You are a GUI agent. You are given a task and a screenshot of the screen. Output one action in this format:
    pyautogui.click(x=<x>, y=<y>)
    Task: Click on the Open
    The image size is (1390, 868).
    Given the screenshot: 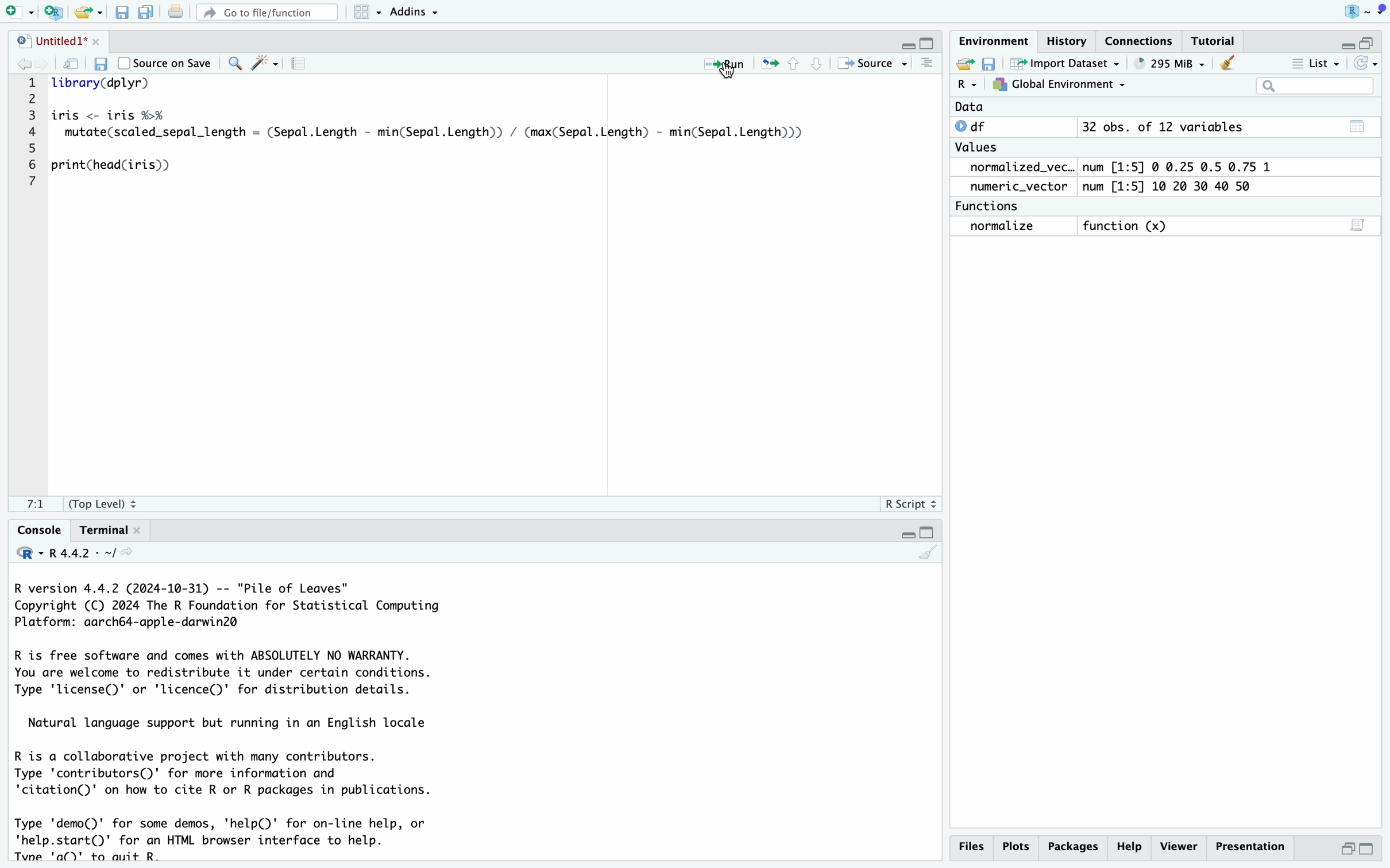 What is the action you would take?
    pyautogui.click(x=90, y=13)
    